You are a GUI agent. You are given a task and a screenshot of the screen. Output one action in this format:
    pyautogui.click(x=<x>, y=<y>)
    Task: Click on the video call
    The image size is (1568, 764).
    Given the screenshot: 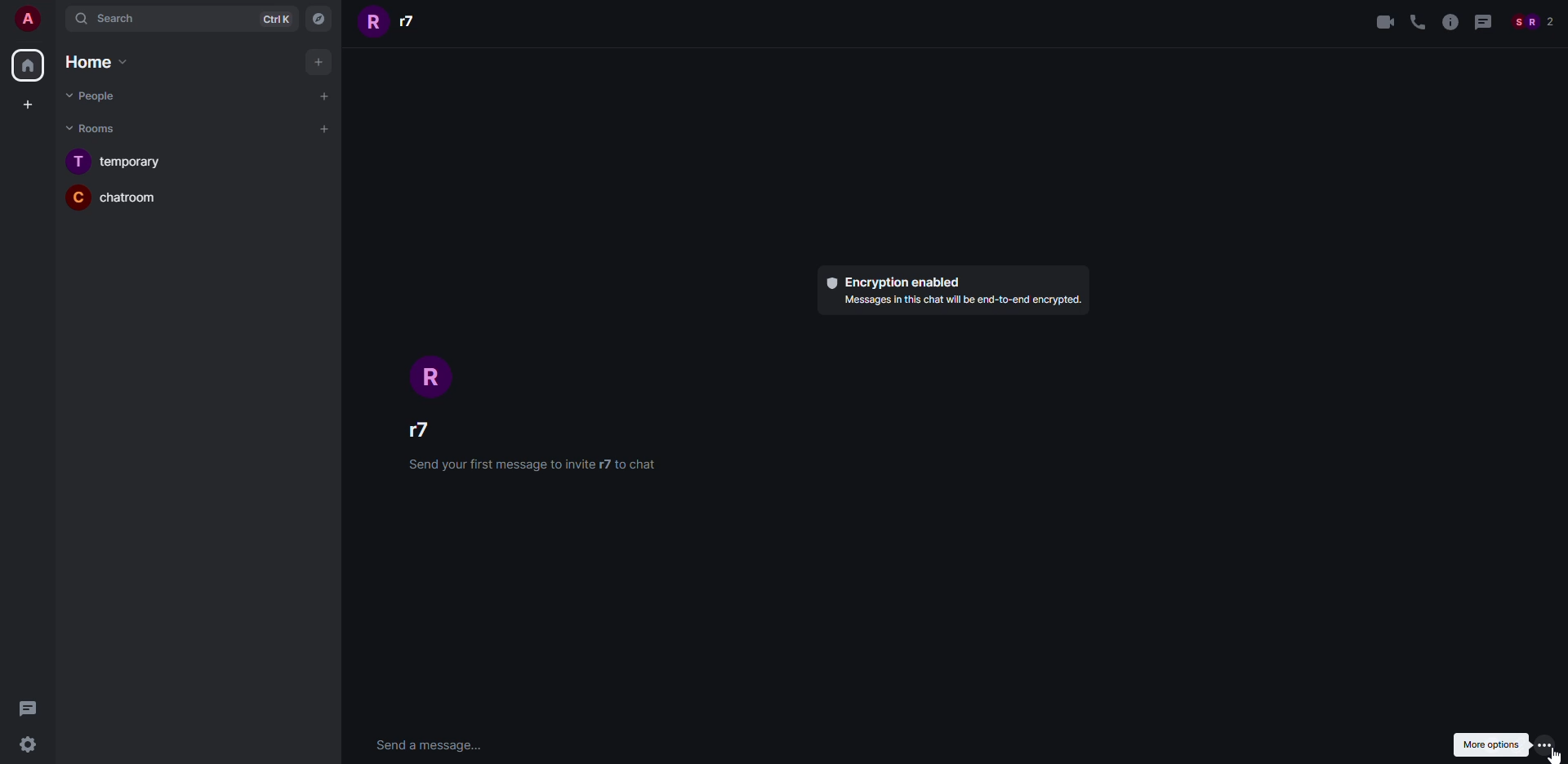 What is the action you would take?
    pyautogui.click(x=1384, y=23)
    